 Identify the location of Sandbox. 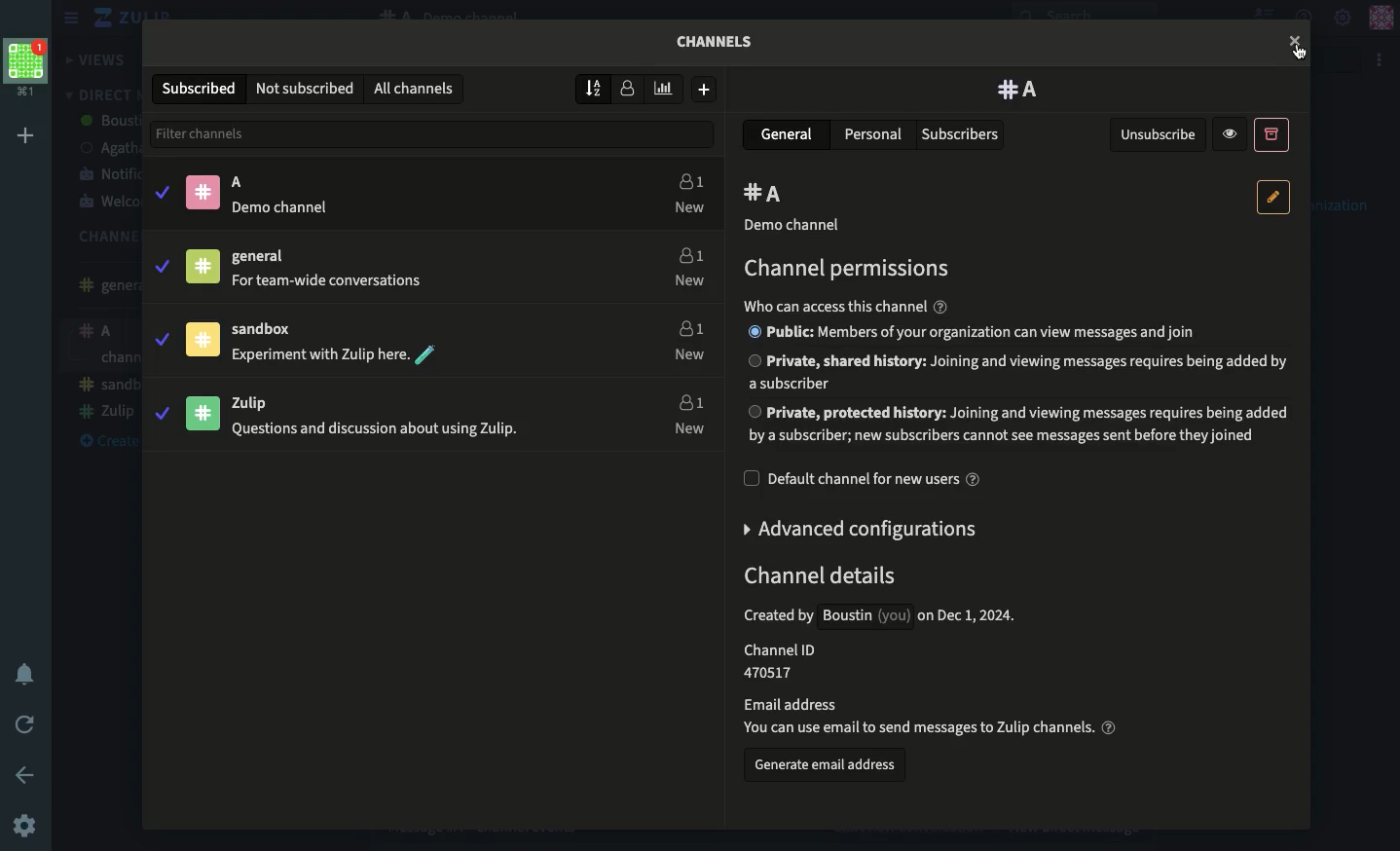
(399, 338).